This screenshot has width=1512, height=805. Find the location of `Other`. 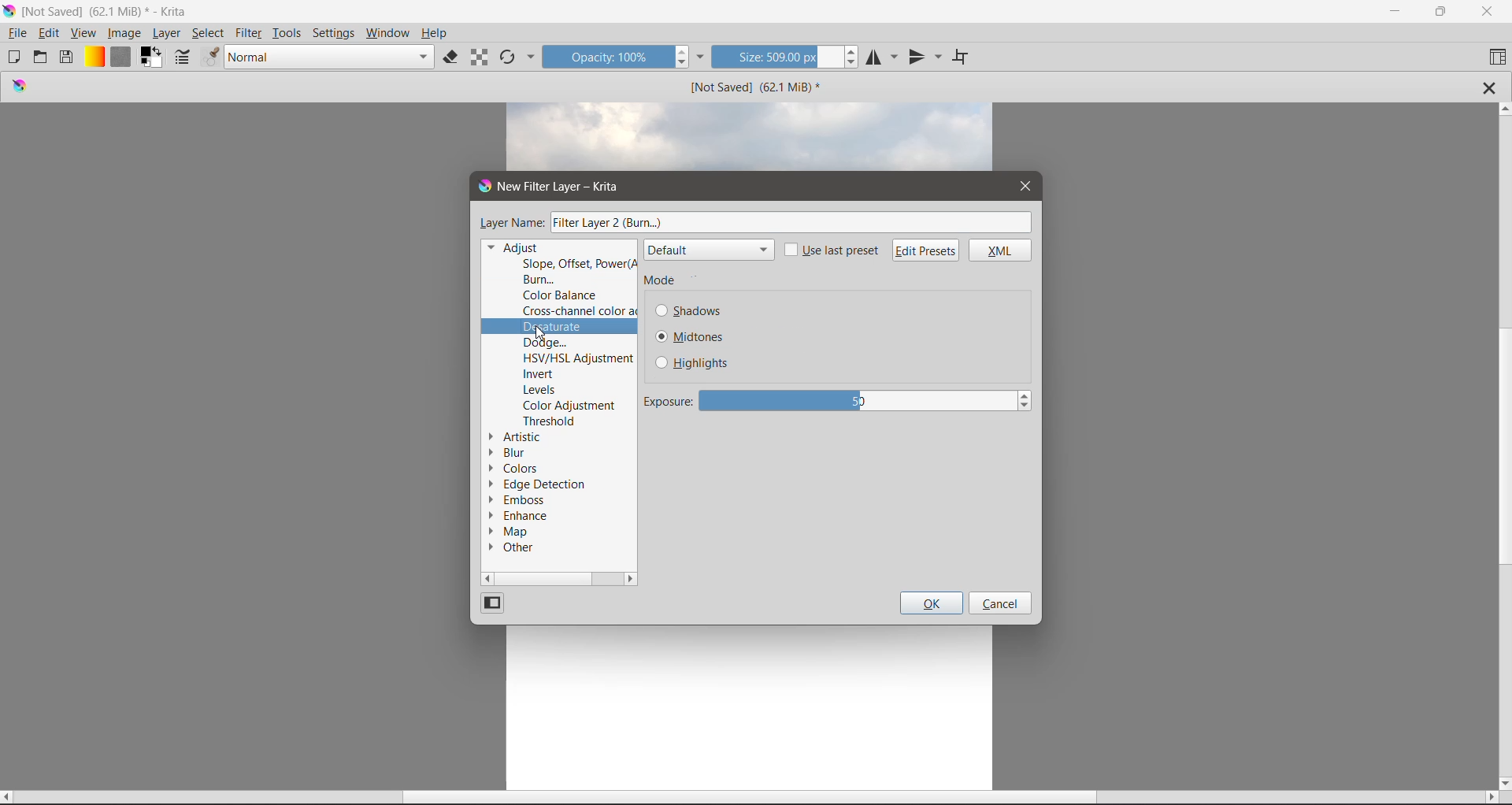

Other is located at coordinates (516, 548).